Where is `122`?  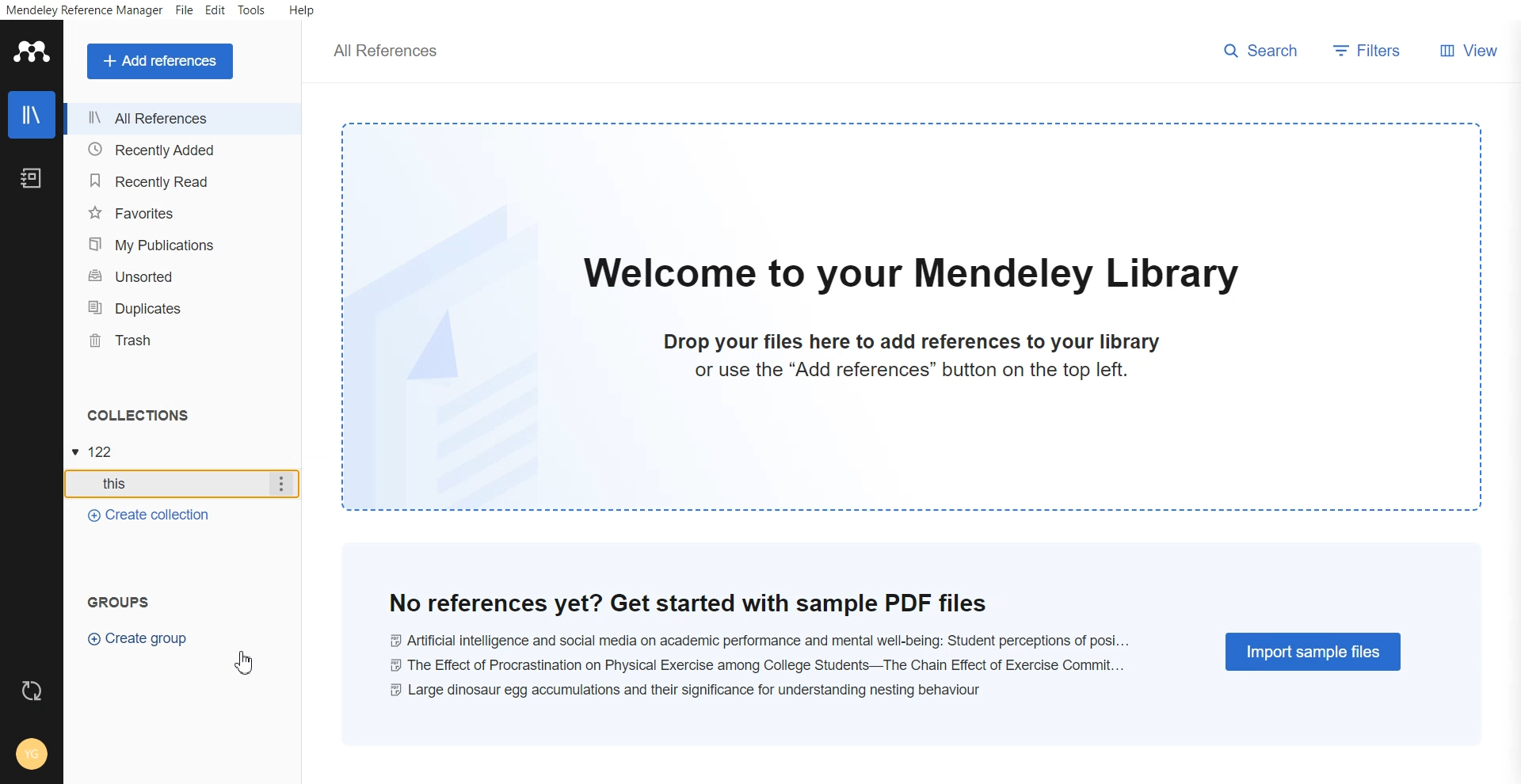
122 is located at coordinates (110, 449).